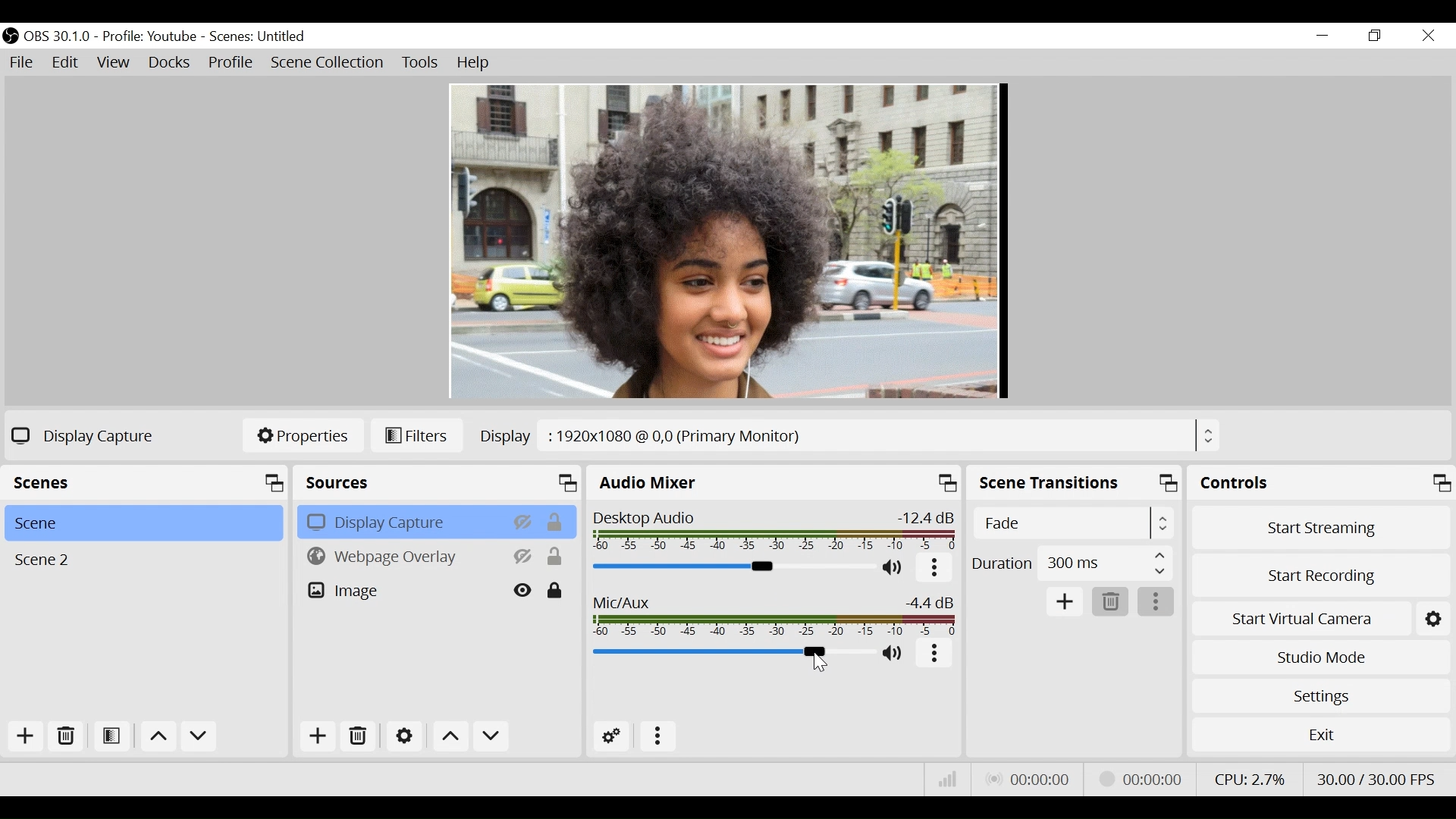 The image size is (1456, 819). Describe the element at coordinates (1319, 693) in the screenshot. I see `Settings` at that location.